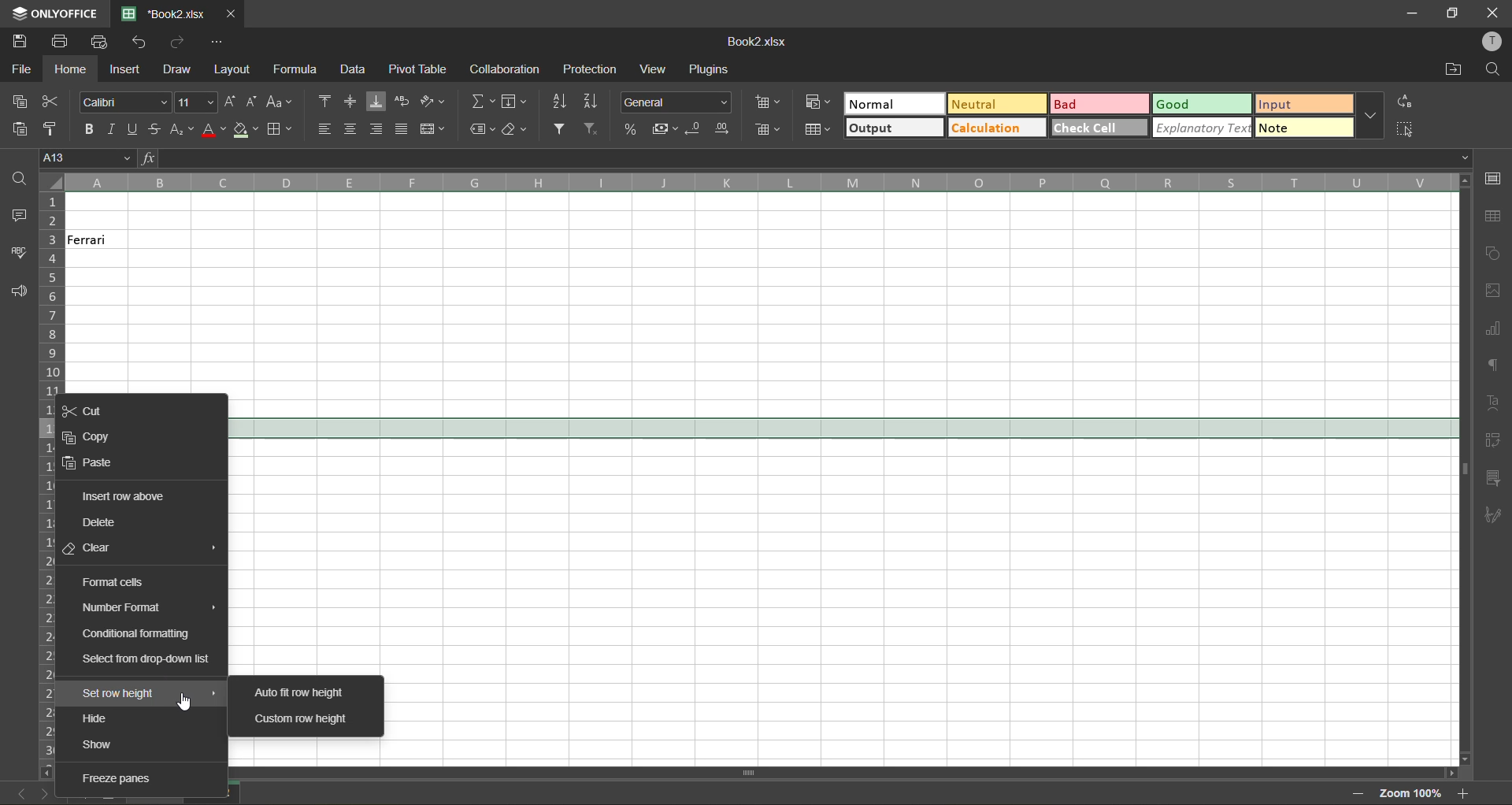 The height and width of the screenshot is (805, 1512). I want to click on slicer, so click(1495, 480).